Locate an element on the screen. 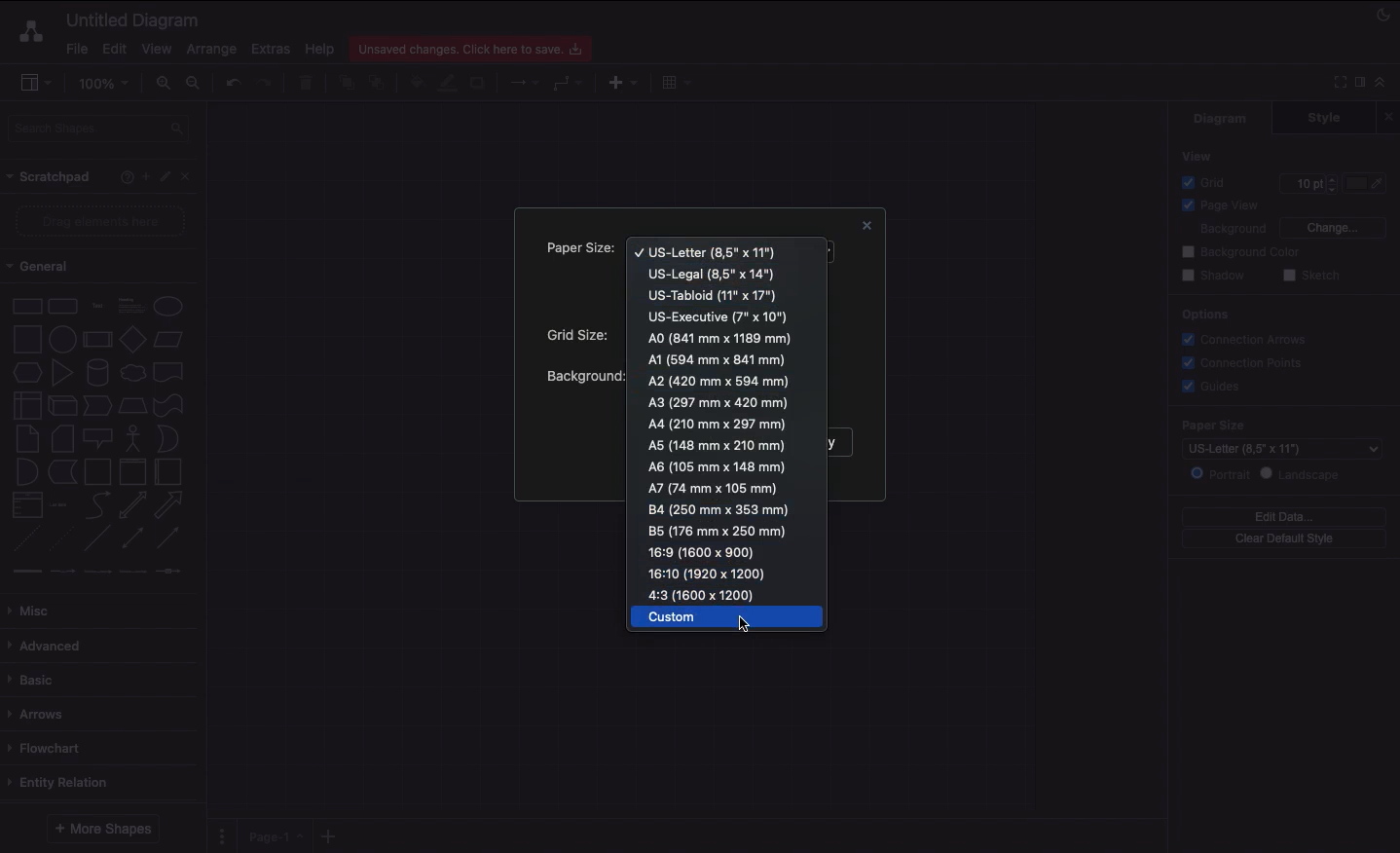 The height and width of the screenshot is (853, 1400). To front is located at coordinates (346, 83).